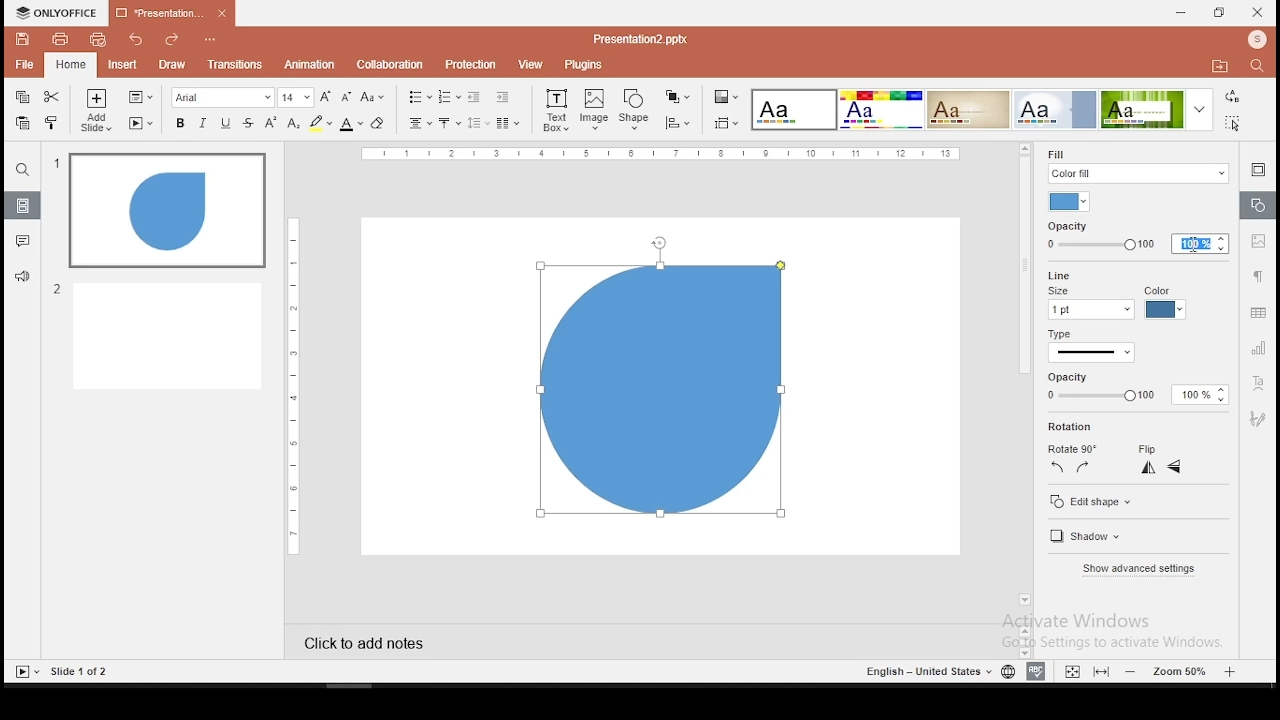 This screenshot has height=720, width=1280. What do you see at coordinates (22, 172) in the screenshot?
I see `find` at bounding box center [22, 172].